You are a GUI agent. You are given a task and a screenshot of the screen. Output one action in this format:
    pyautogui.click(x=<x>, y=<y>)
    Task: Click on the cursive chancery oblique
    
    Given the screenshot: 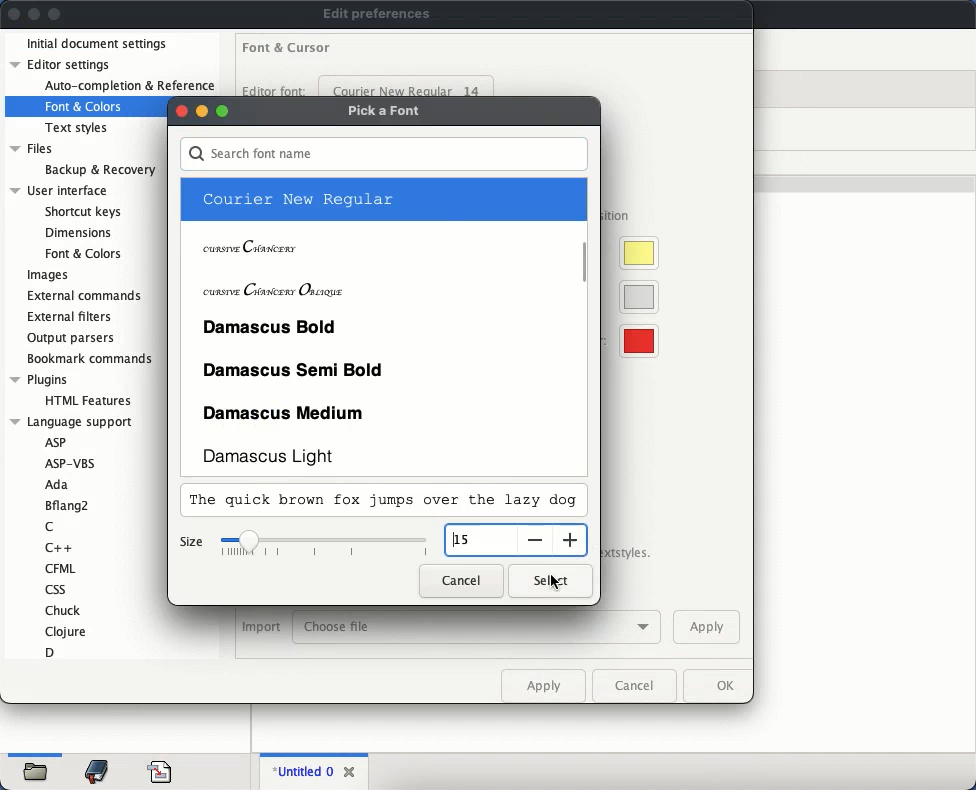 What is the action you would take?
    pyautogui.click(x=380, y=286)
    